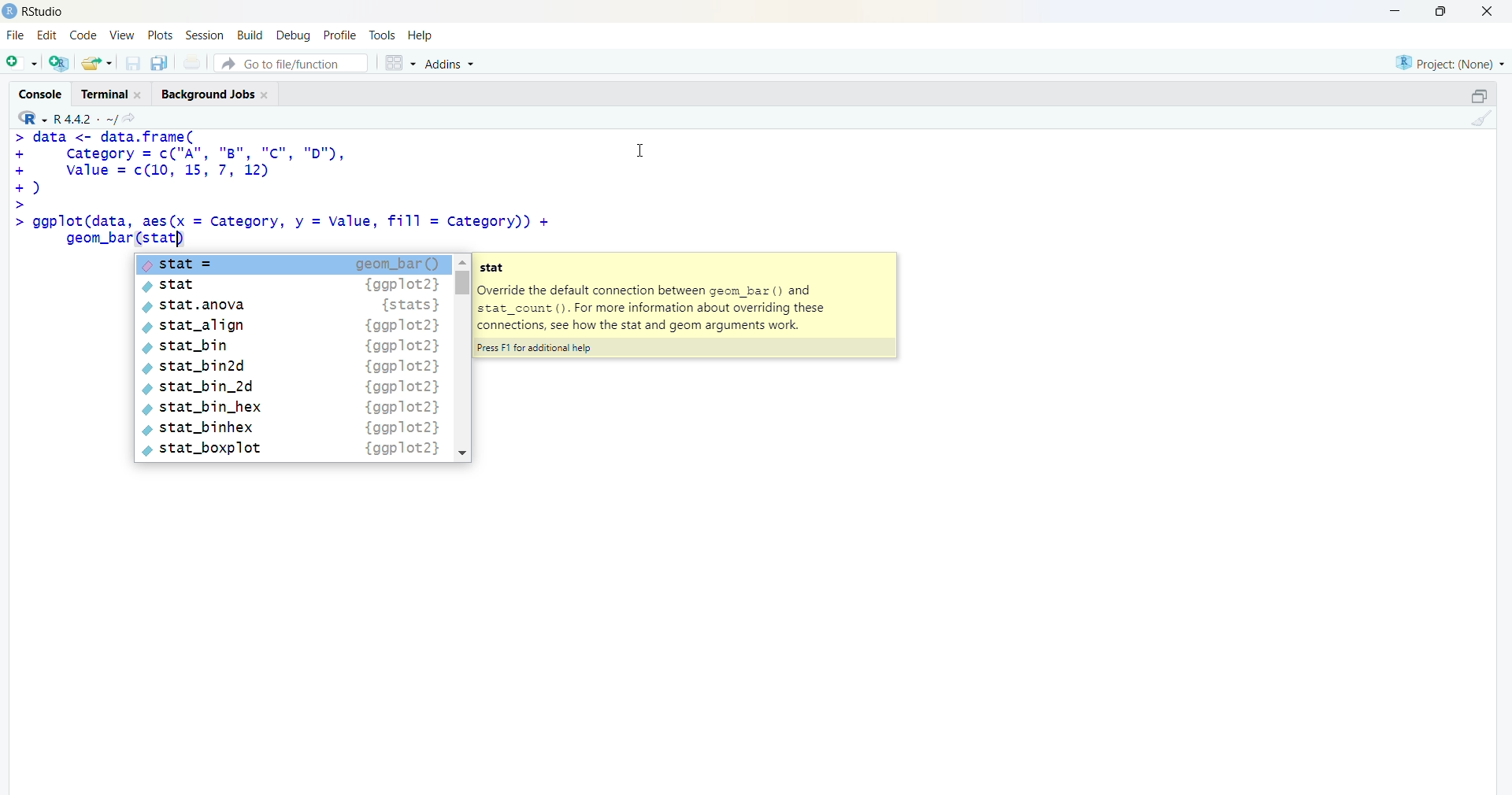  Describe the element at coordinates (339, 36) in the screenshot. I see `profile` at that location.